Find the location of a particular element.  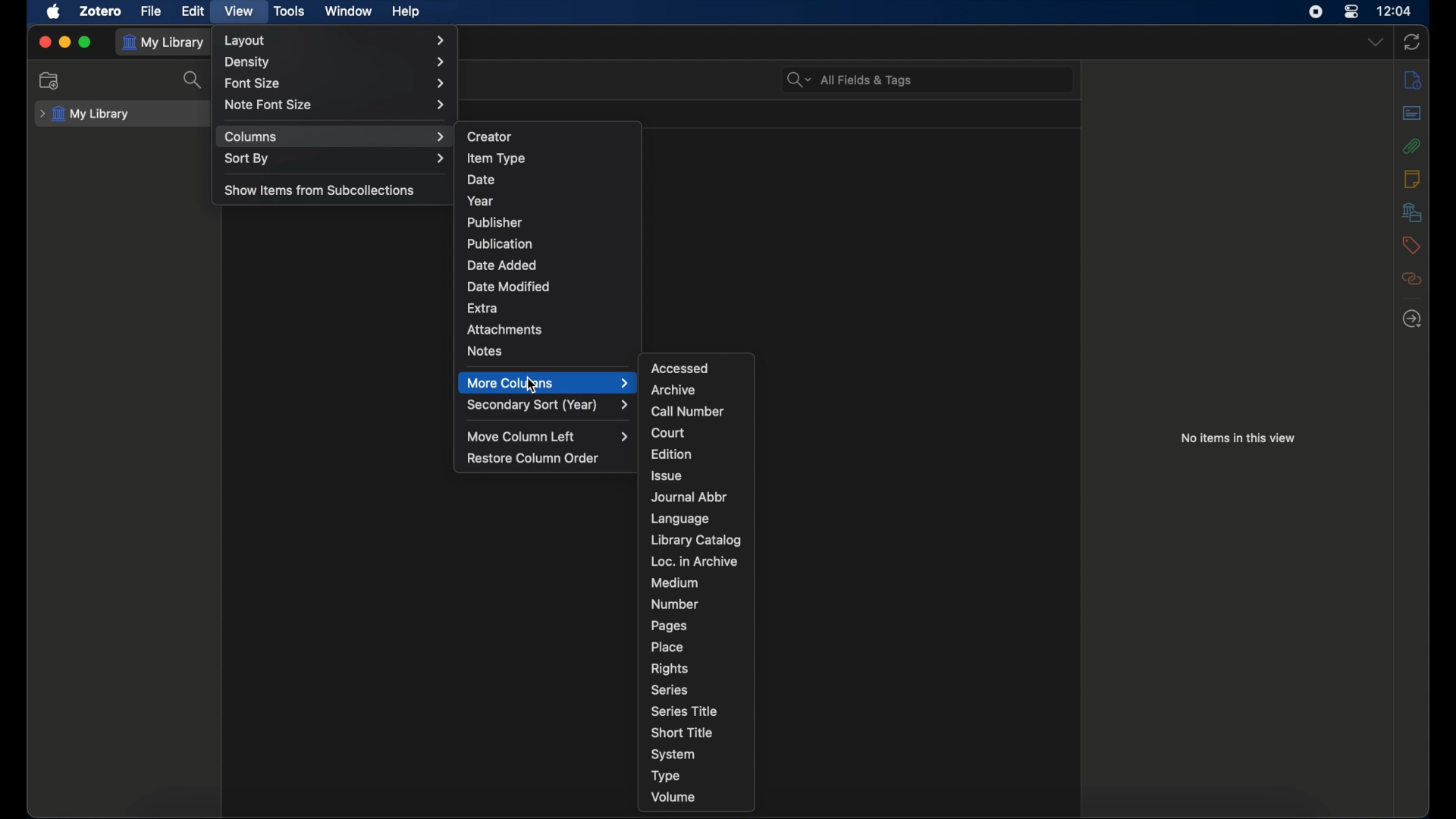

density is located at coordinates (336, 63).